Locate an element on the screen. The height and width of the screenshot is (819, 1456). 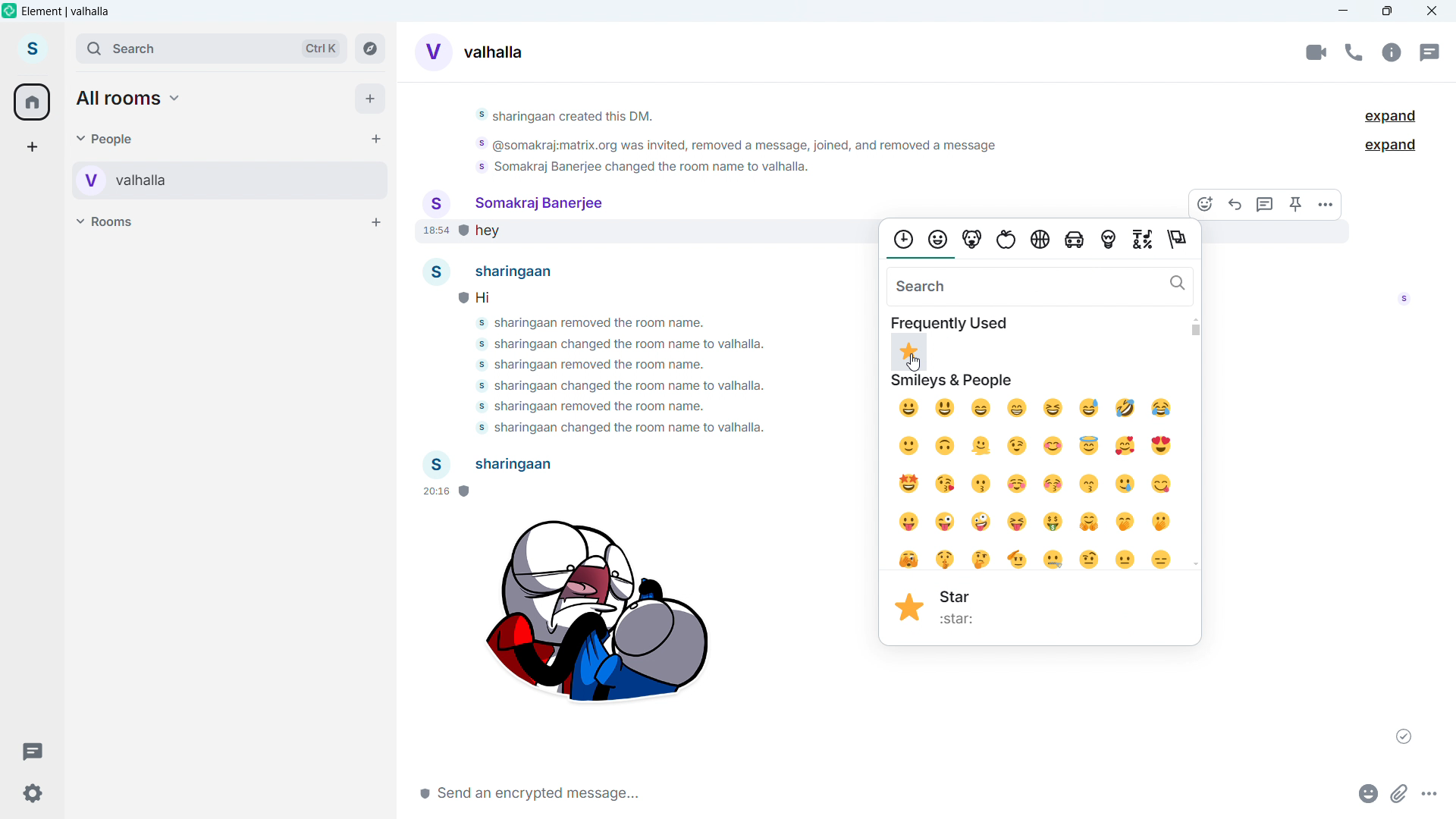
smiling face with tear is located at coordinates (1129, 484).